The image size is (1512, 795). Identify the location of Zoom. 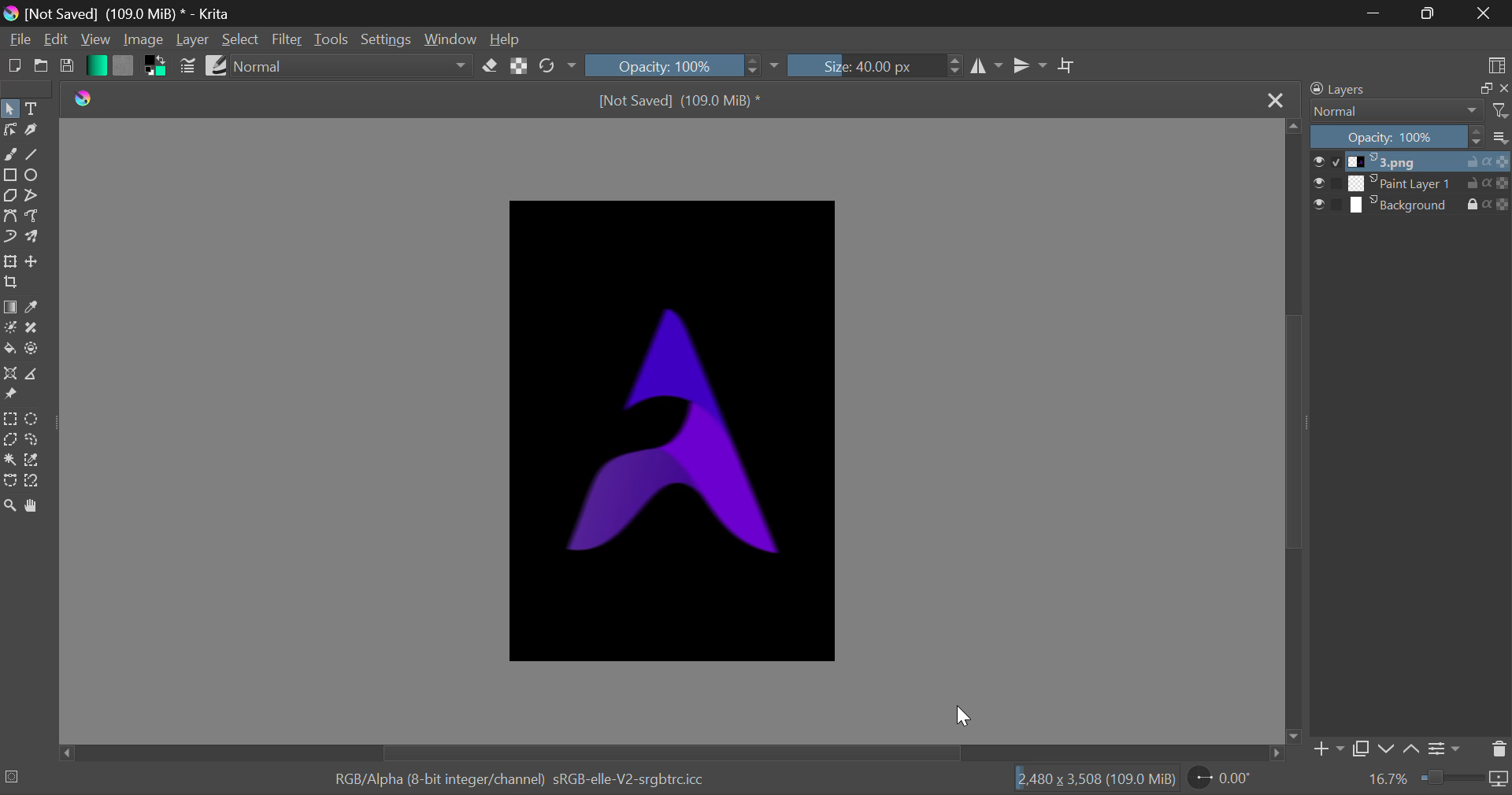
(13, 508).